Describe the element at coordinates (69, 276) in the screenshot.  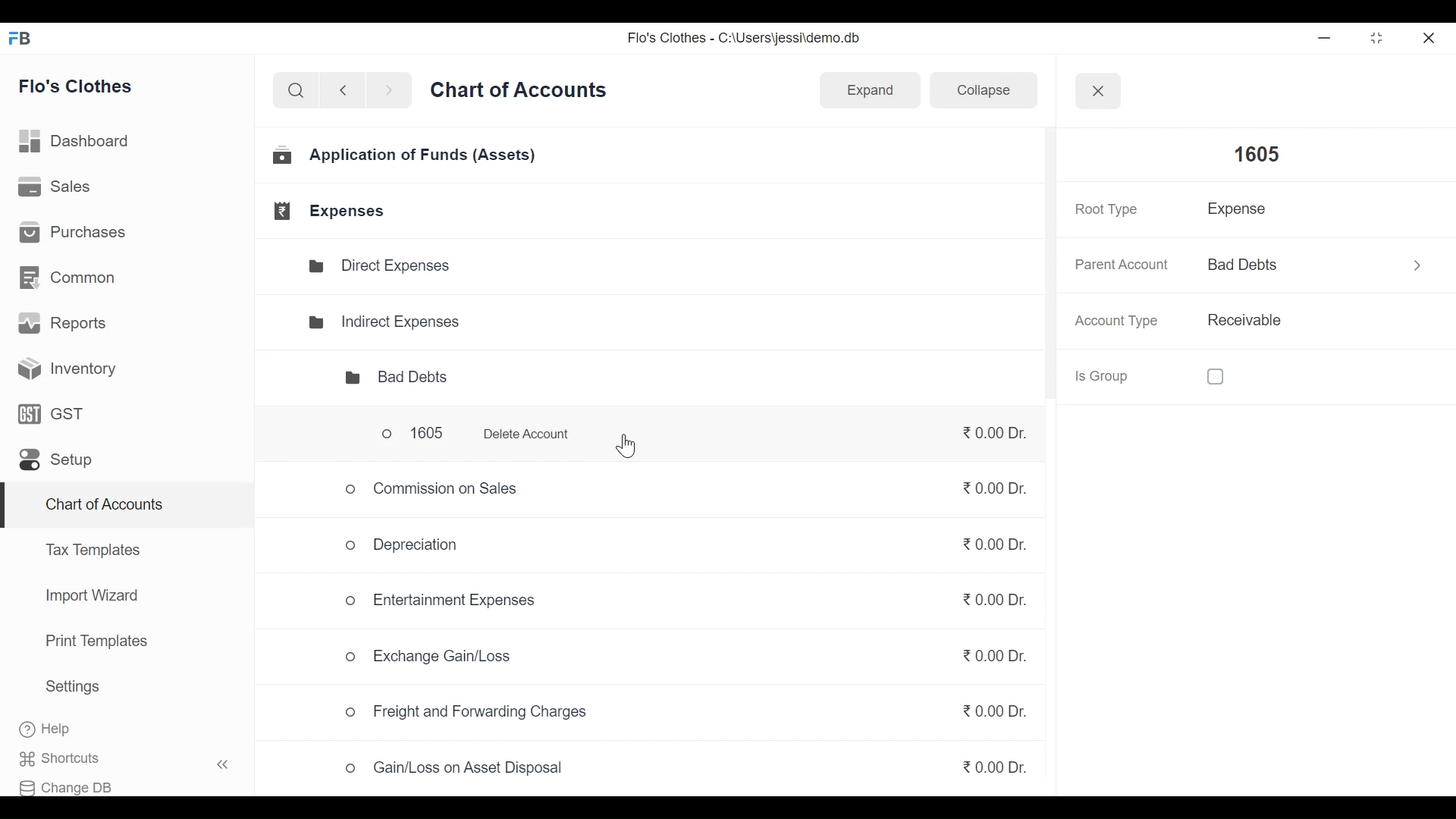
I see `Common` at that location.